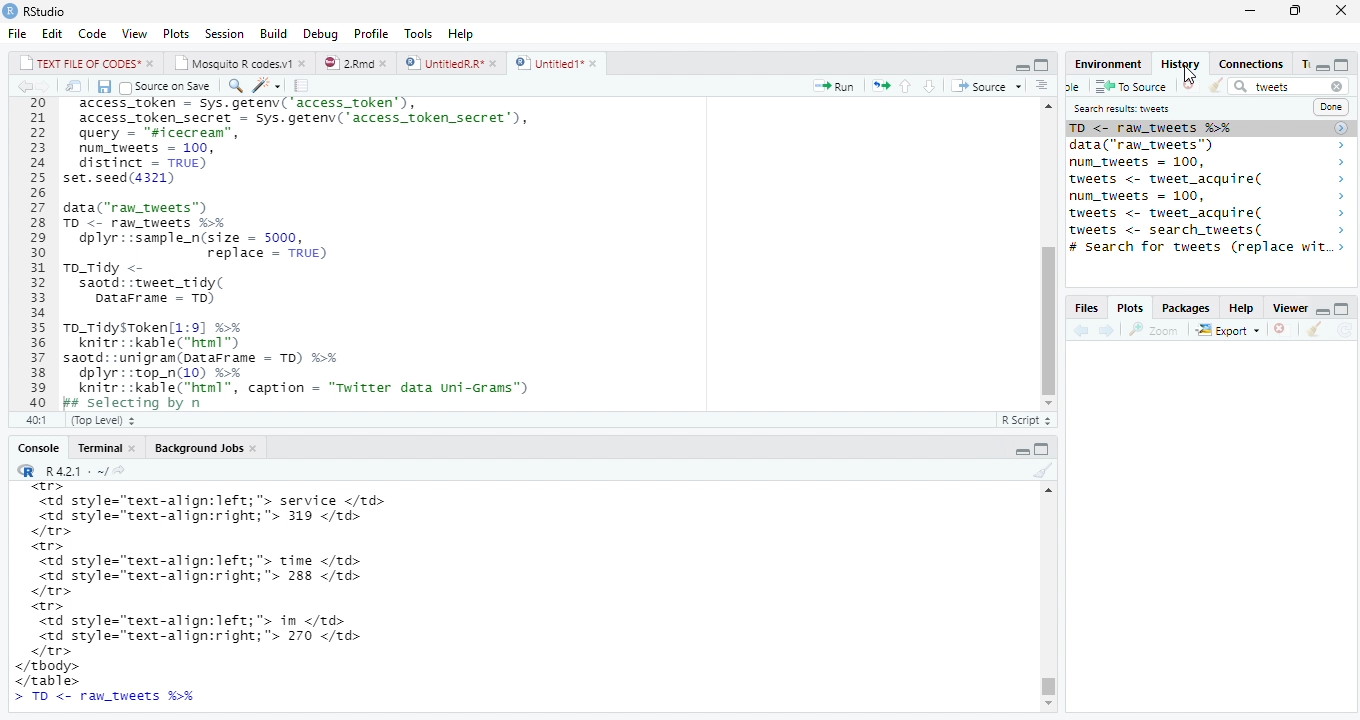  What do you see at coordinates (1263, 63) in the screenshot?
I see `Connections` at bounding box center [1263, 63].